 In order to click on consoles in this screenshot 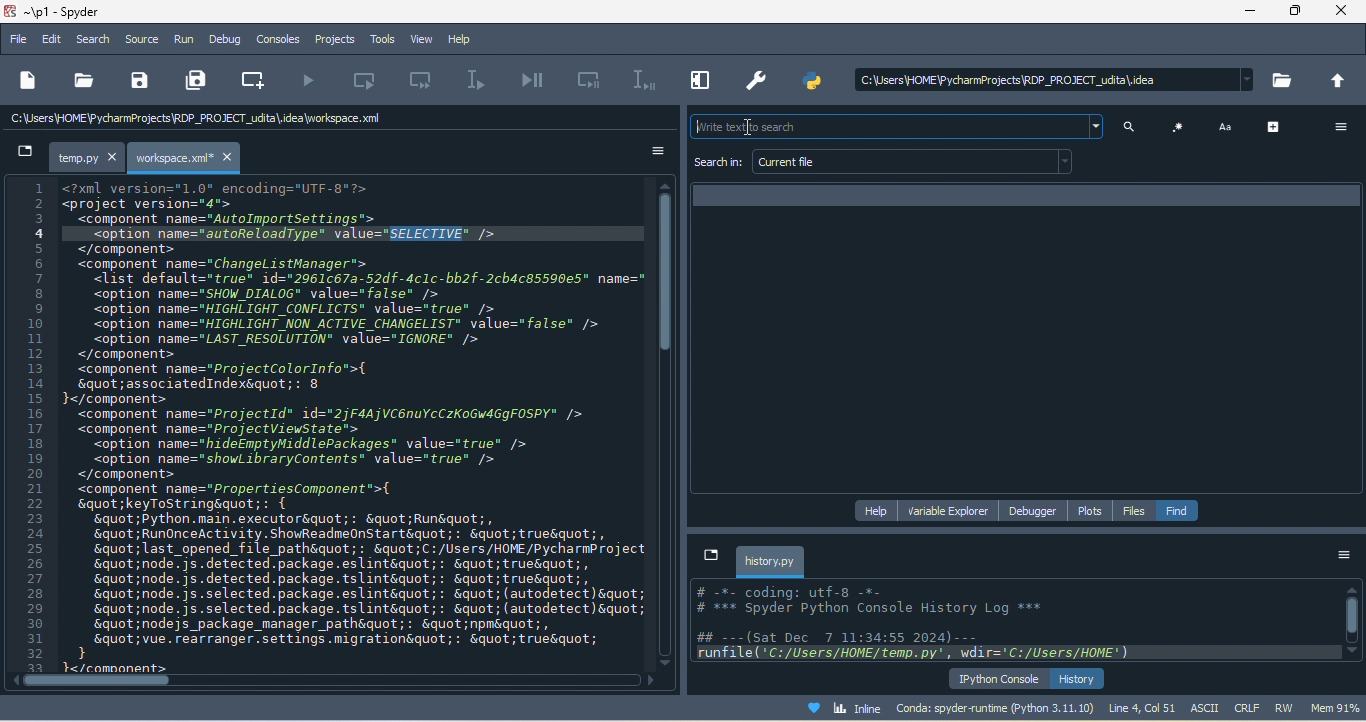, I will do `click(280, 39)`.